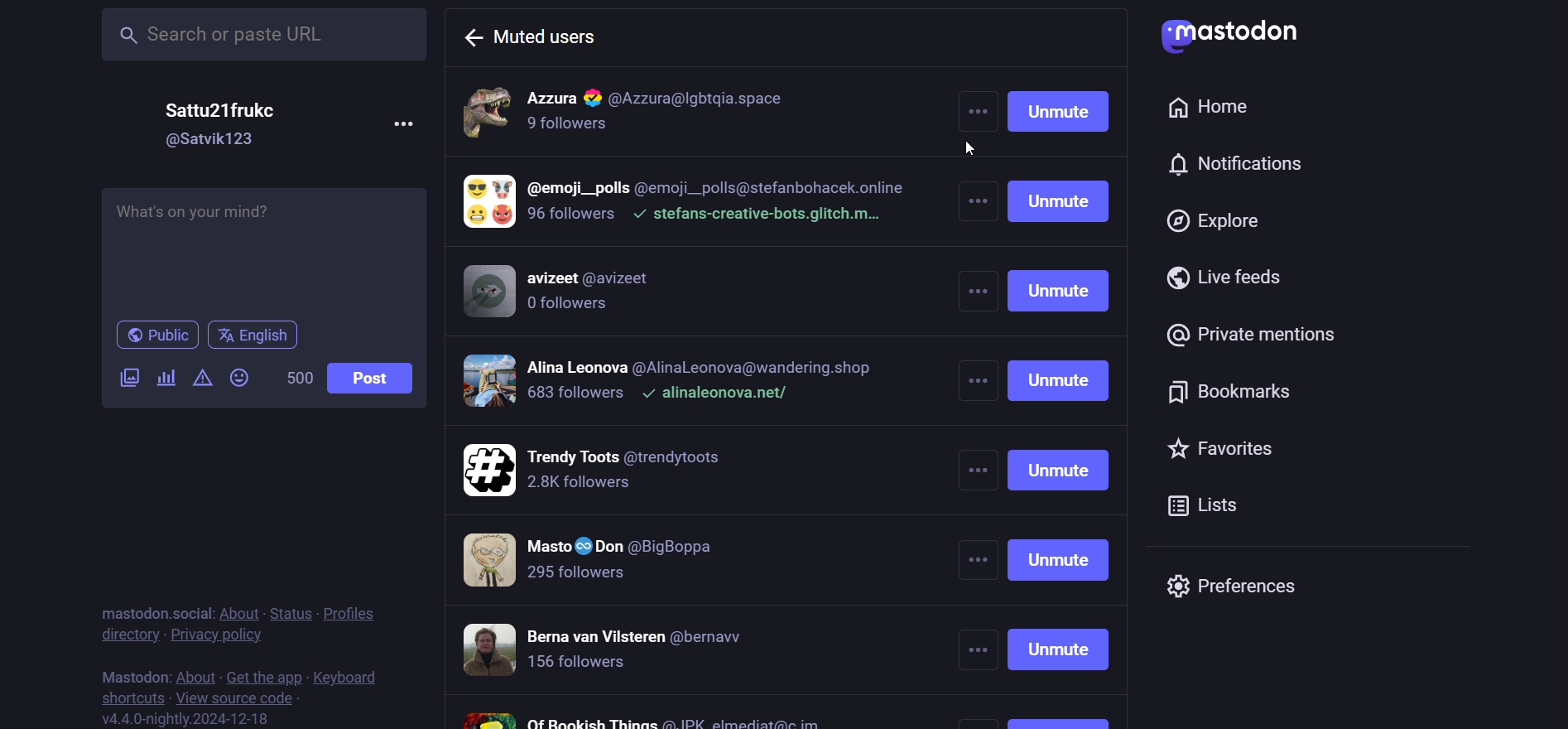  What do you see at coordinates (154, 335) in the screenshot?
I see `public` at bounding box center [154, 335].